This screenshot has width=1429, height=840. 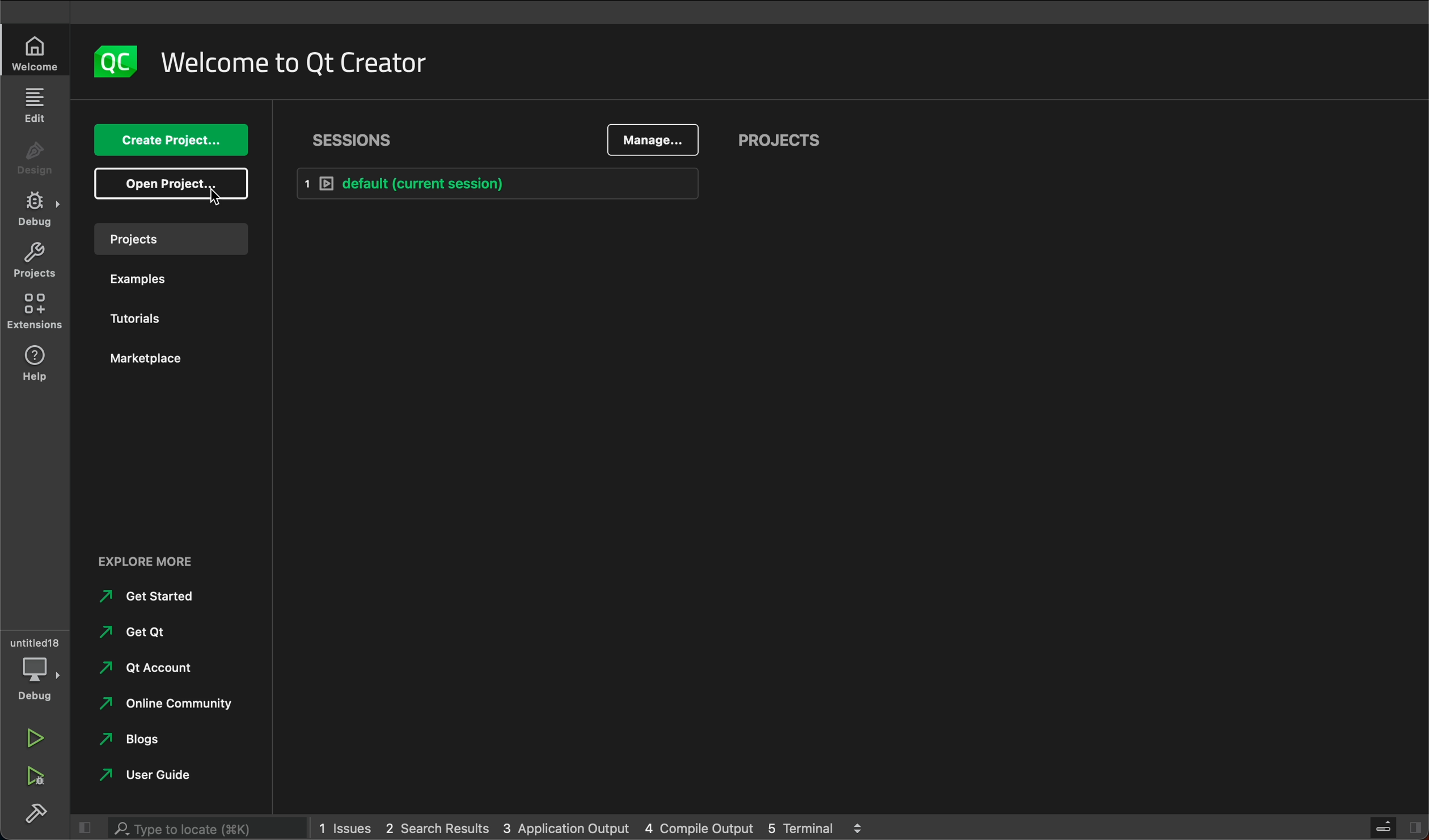 I want to click on type to search, so click(x=206, y=828).